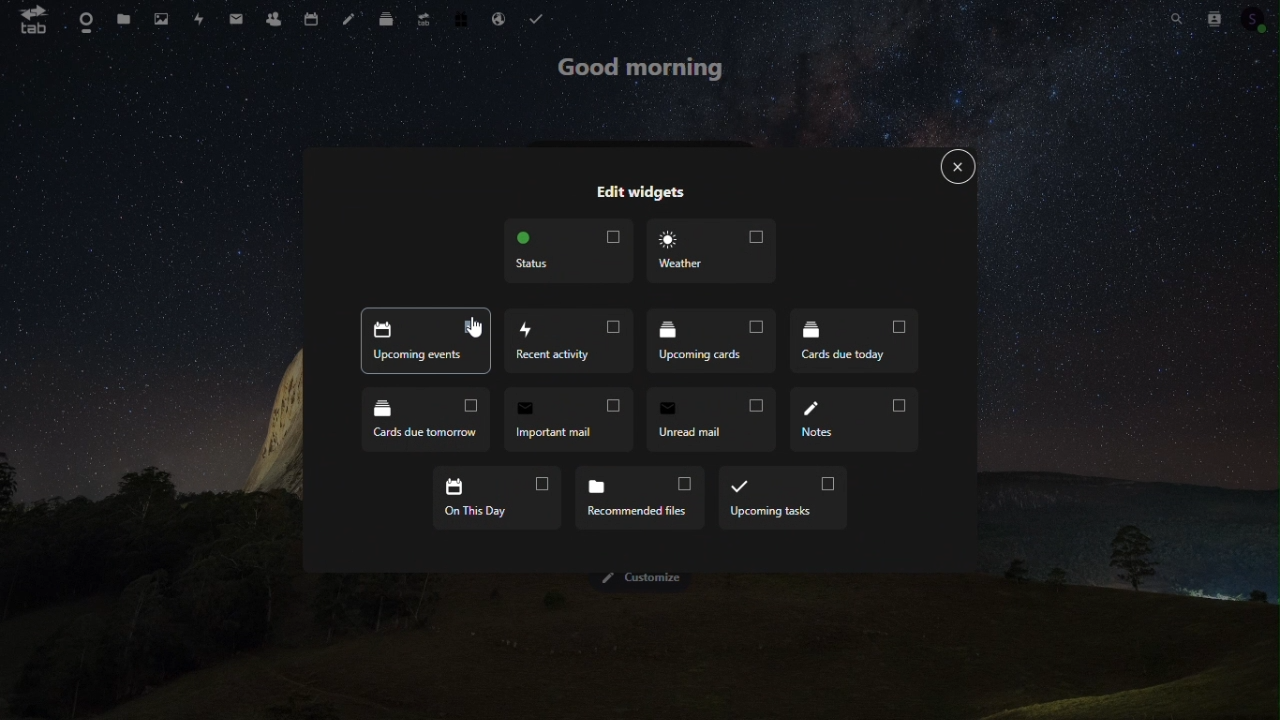  Describe the element at coordinates (463, 16) in the screenshot. I see `Free trial` at that location.